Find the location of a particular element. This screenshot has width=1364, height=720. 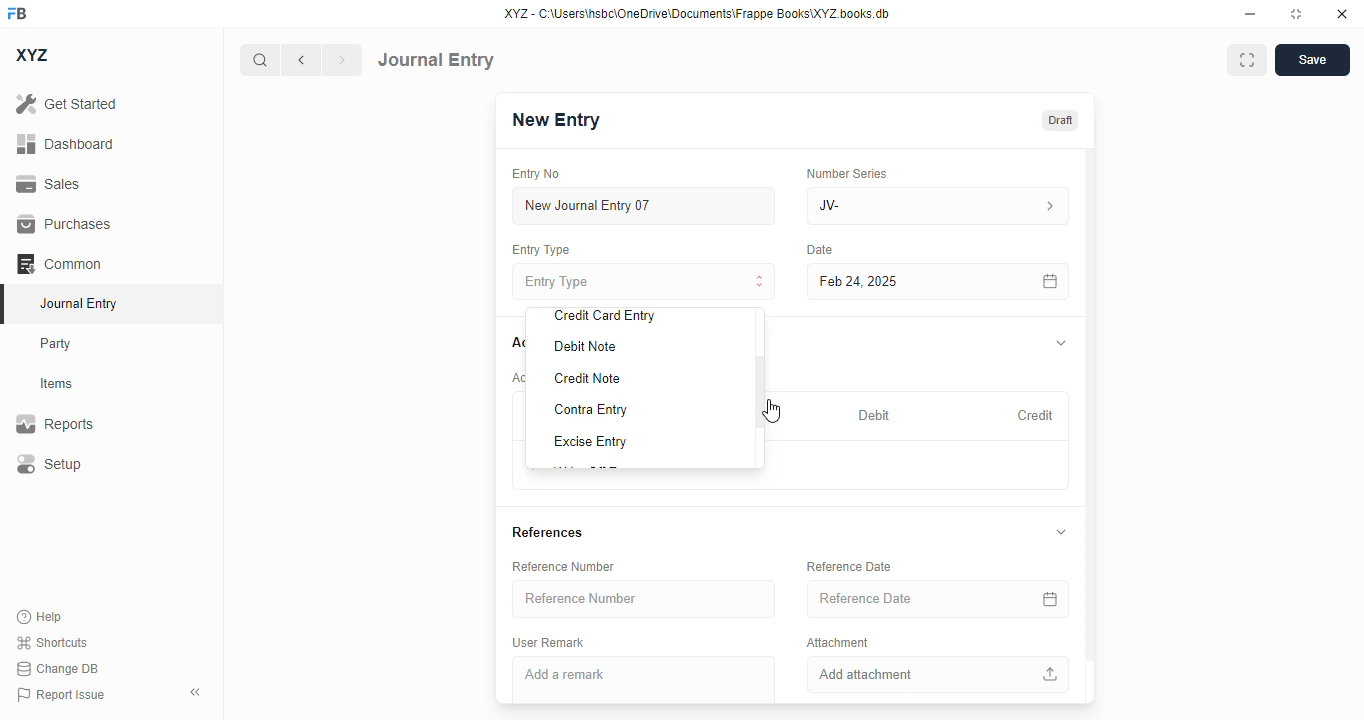

credit card entry is located at coordinates (606, 316).